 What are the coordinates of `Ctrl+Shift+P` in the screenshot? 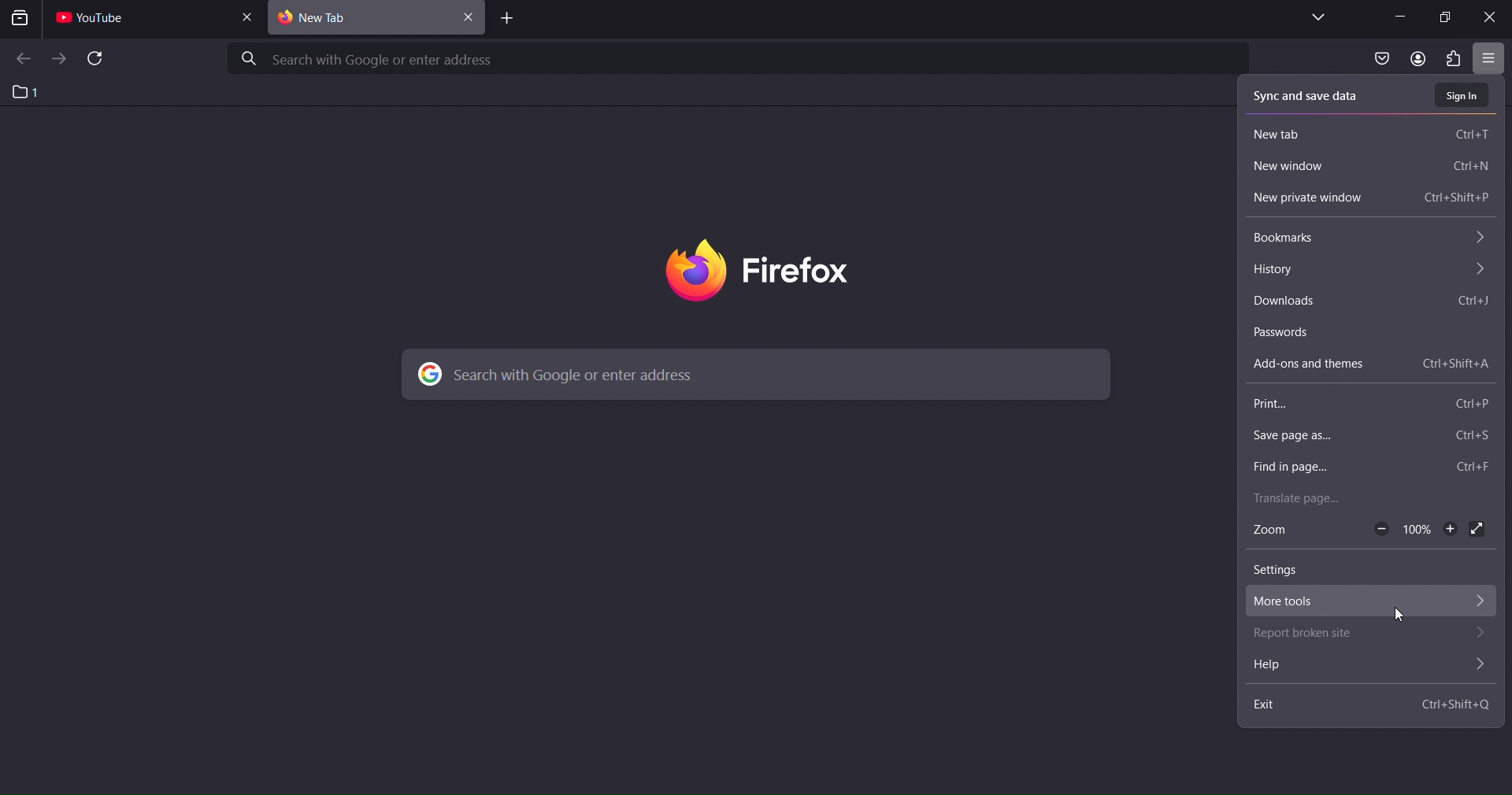 It's located at (1458, 199).